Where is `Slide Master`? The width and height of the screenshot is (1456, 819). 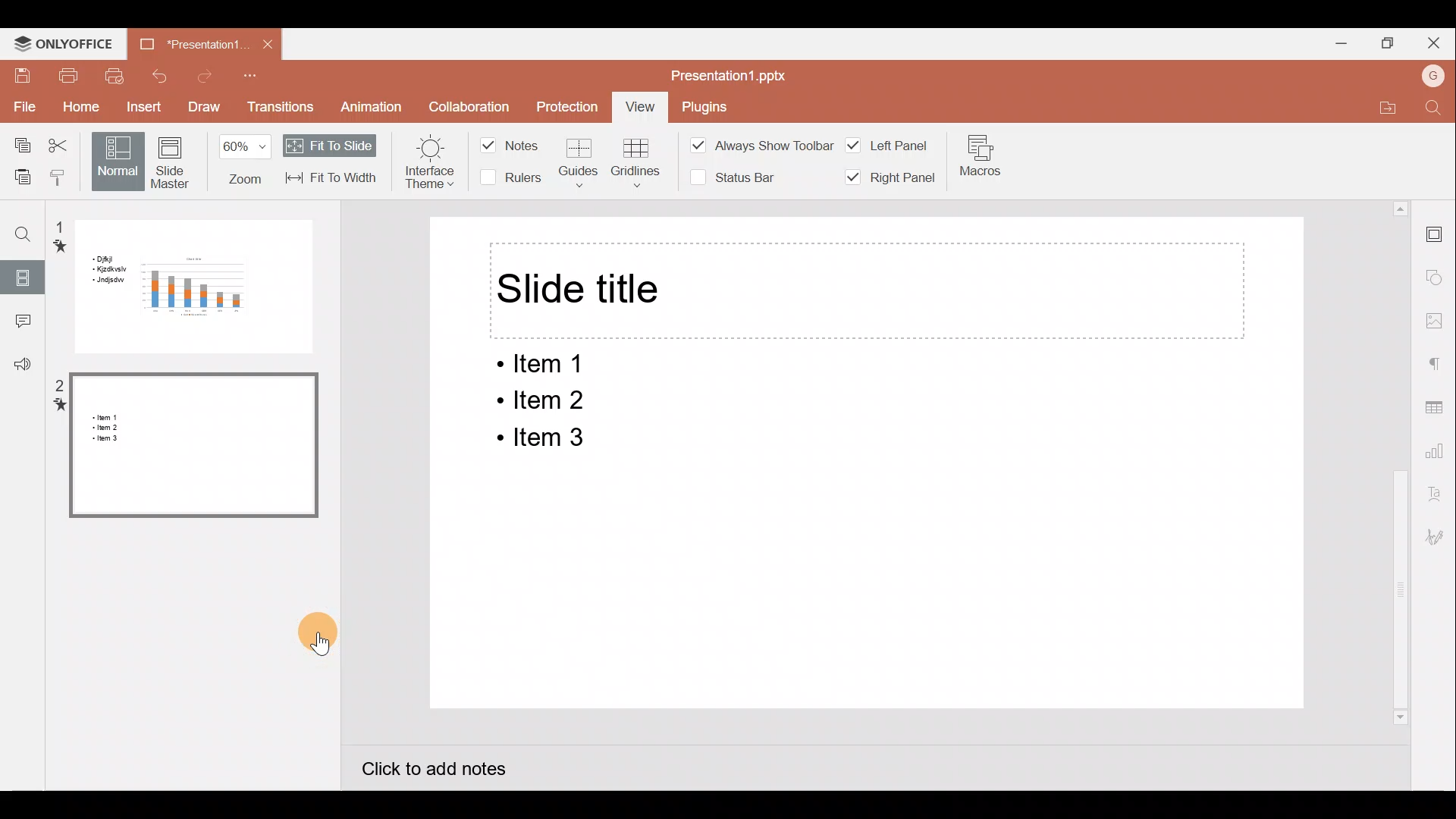
Slide Master is located at coordinates (170, 160).